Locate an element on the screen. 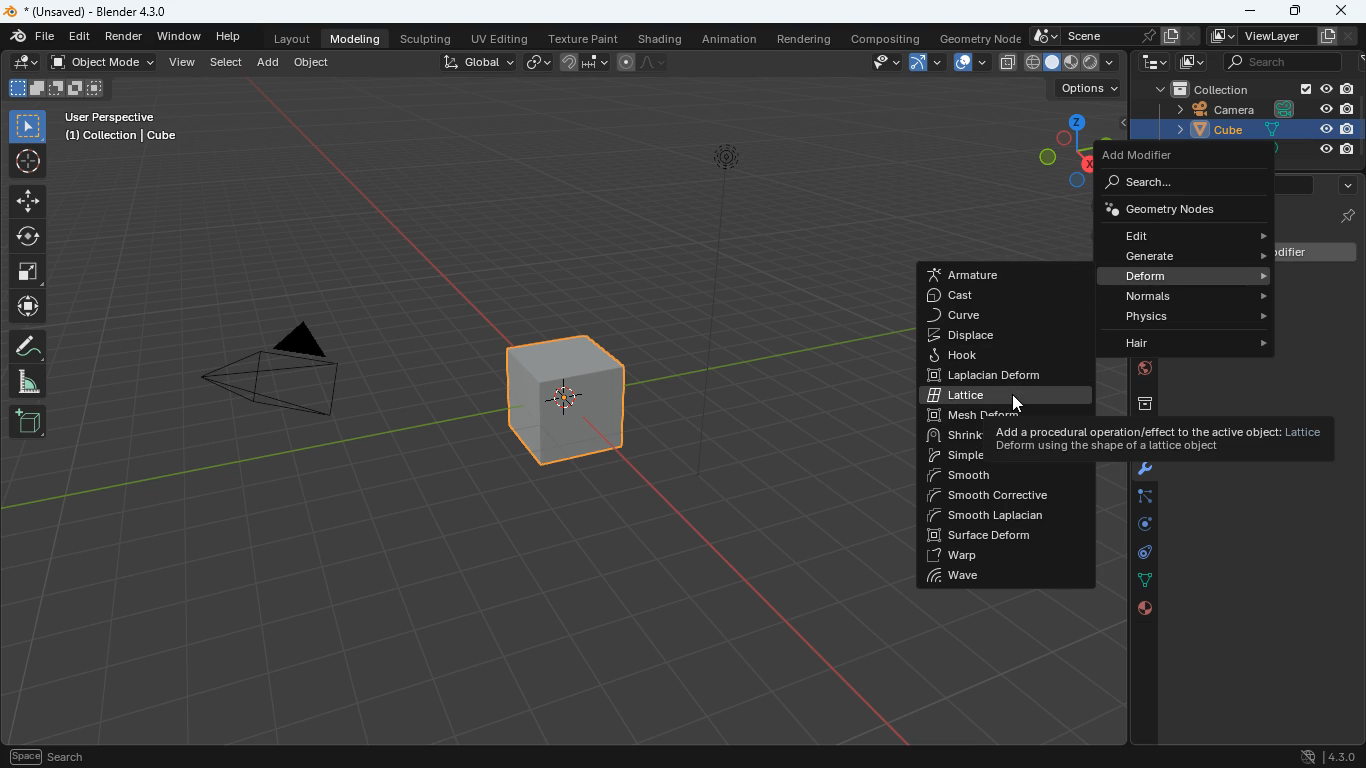 This screenshot has height=768, width=1366. join is located at coordinates (585, 61).